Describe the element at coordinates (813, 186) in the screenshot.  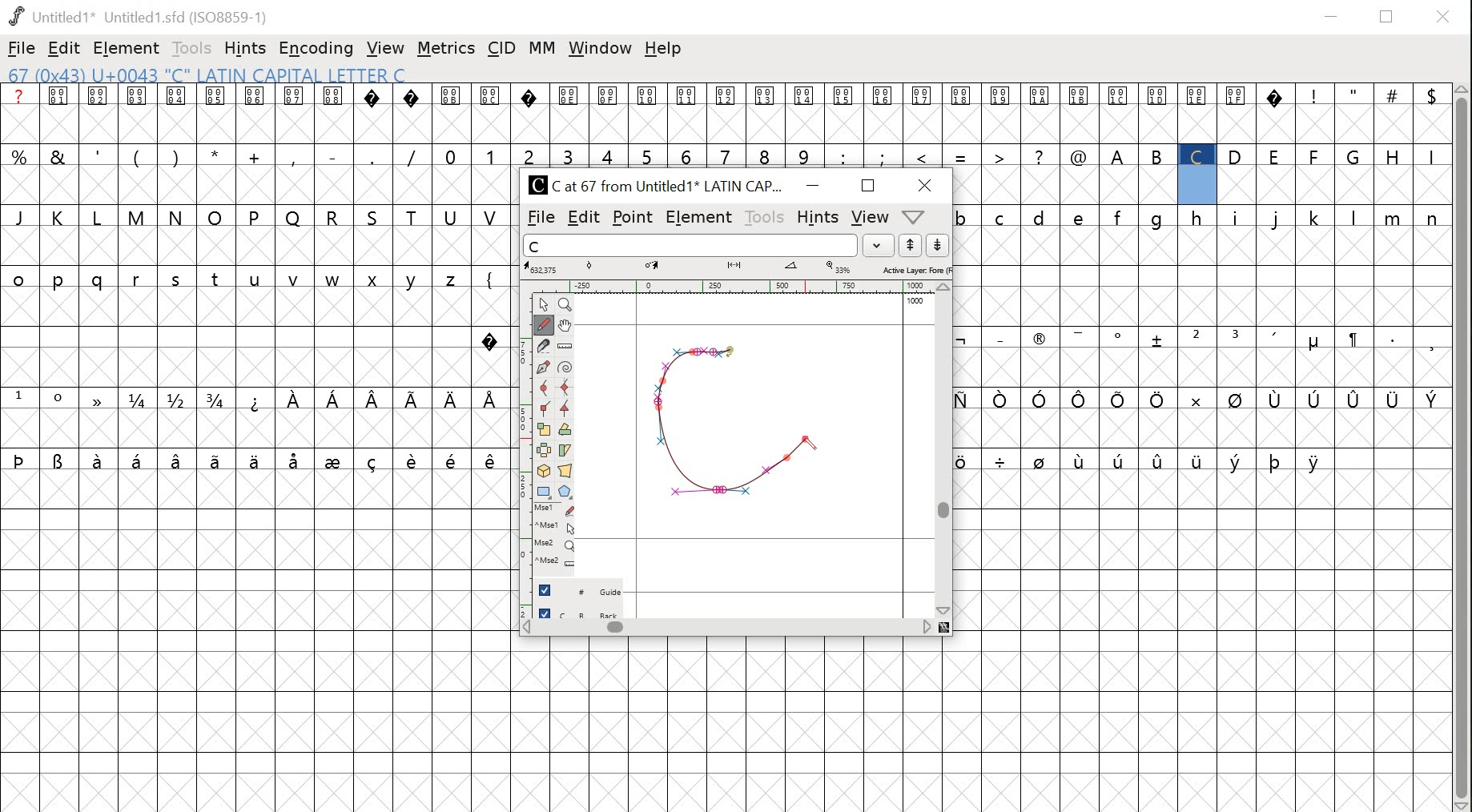
I see `minimize` at that location.